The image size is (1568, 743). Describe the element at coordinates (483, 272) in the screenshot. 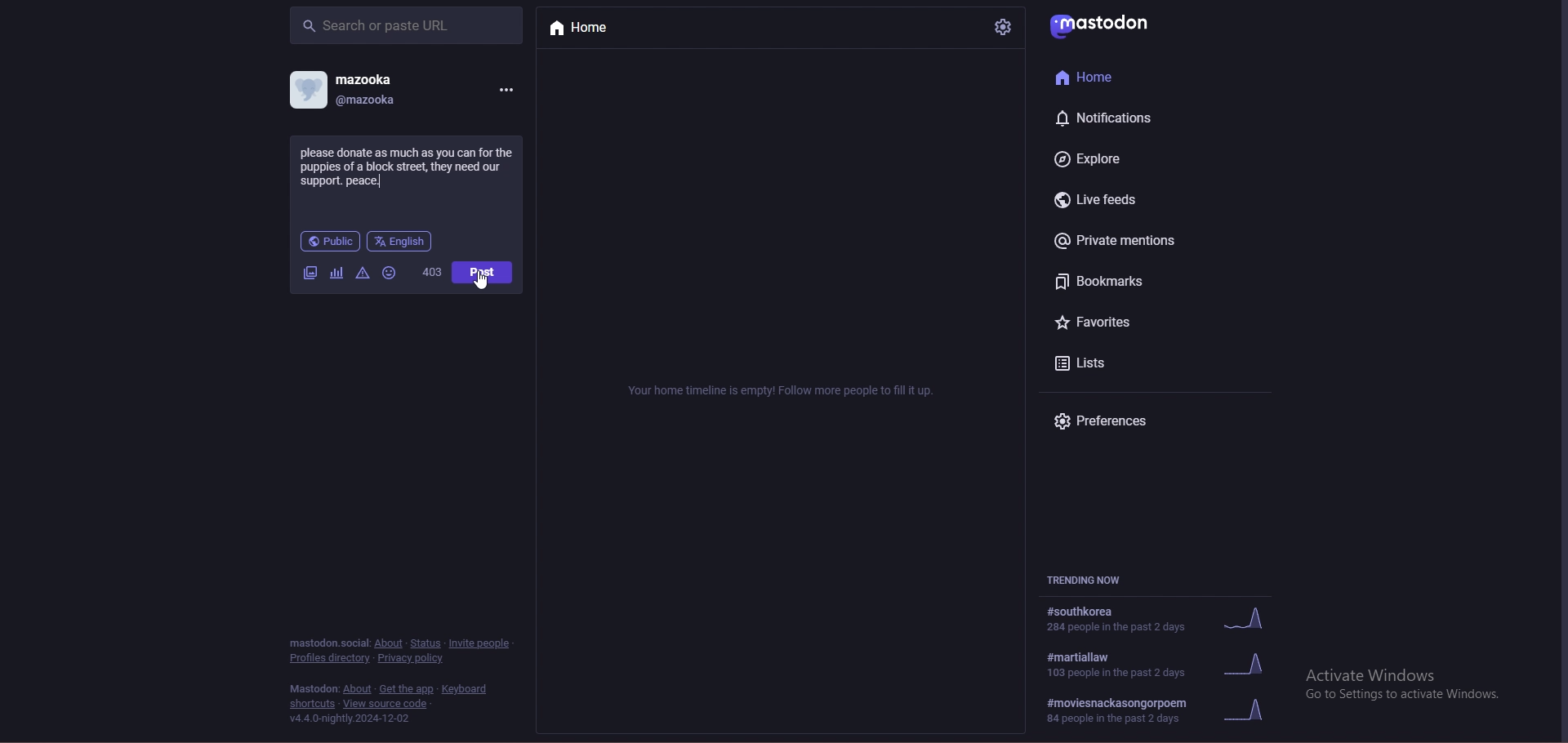

I see `post` at that location.